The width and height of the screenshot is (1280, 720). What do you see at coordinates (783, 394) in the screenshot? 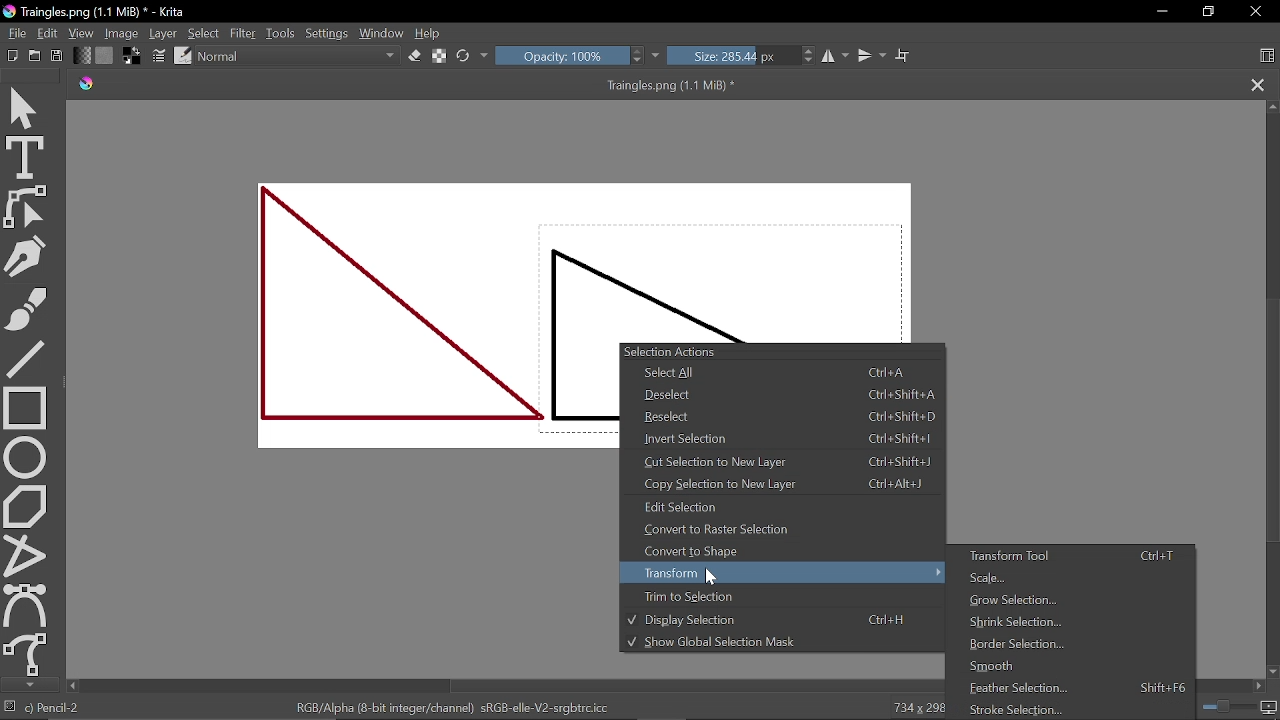
I see `Deselect` at bounding box center [783, 394].